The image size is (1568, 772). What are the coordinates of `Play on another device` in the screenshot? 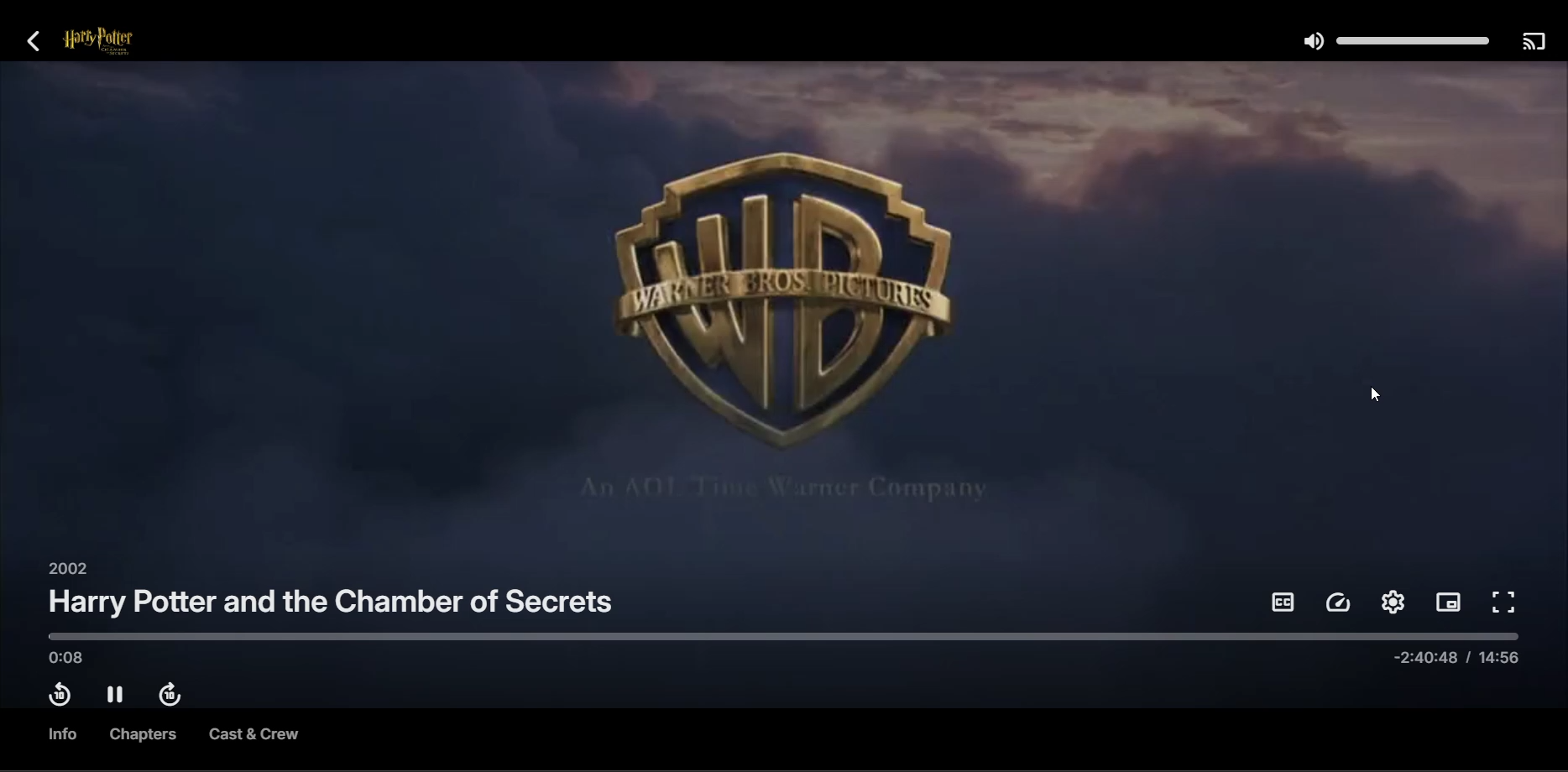 It's located at (1533, 43).